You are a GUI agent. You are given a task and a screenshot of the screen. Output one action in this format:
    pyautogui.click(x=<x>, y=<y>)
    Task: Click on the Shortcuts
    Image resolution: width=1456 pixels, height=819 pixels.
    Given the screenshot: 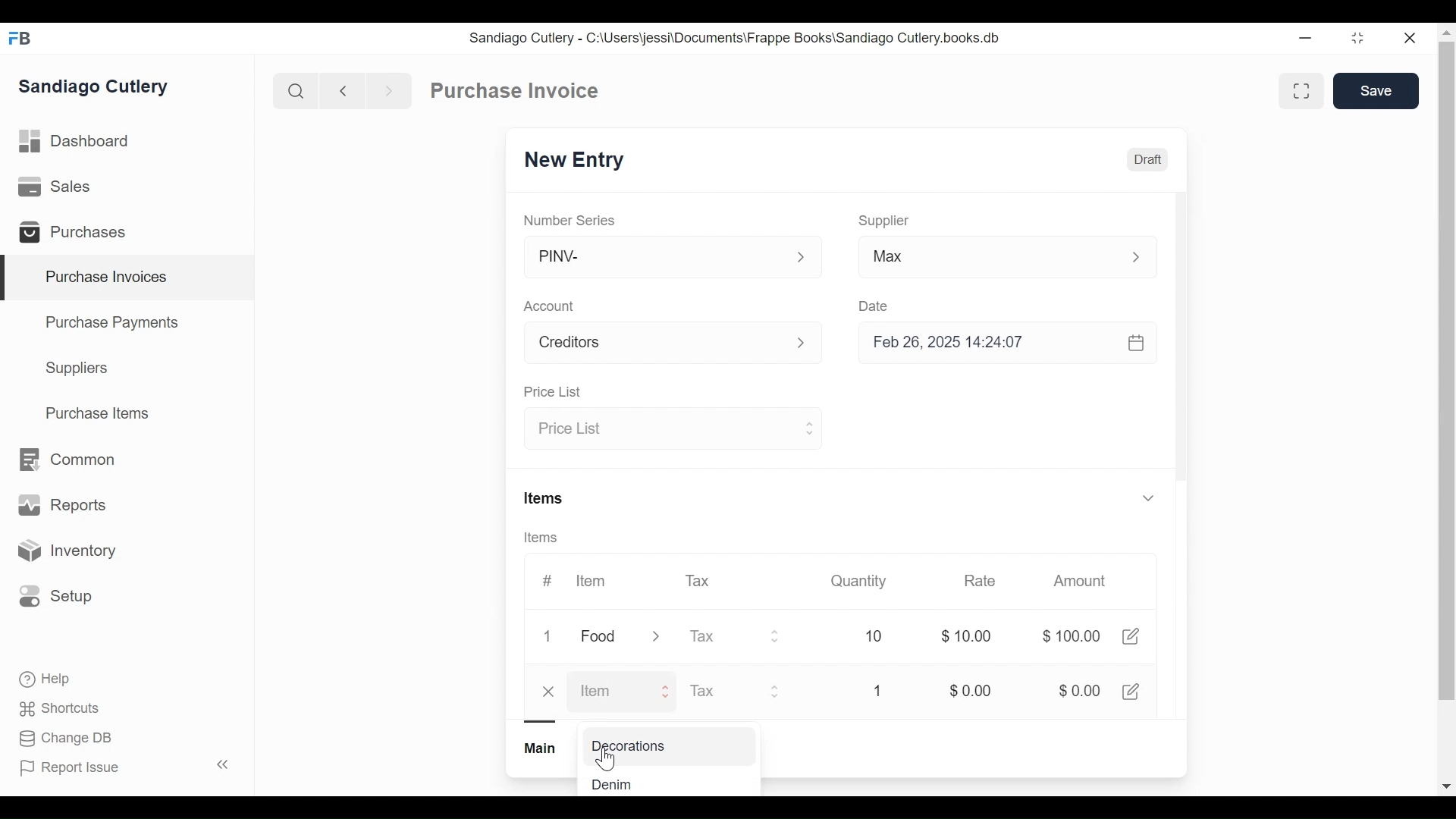 What is the action you would take?
    pyautogui.click(x=61, y=708)
    